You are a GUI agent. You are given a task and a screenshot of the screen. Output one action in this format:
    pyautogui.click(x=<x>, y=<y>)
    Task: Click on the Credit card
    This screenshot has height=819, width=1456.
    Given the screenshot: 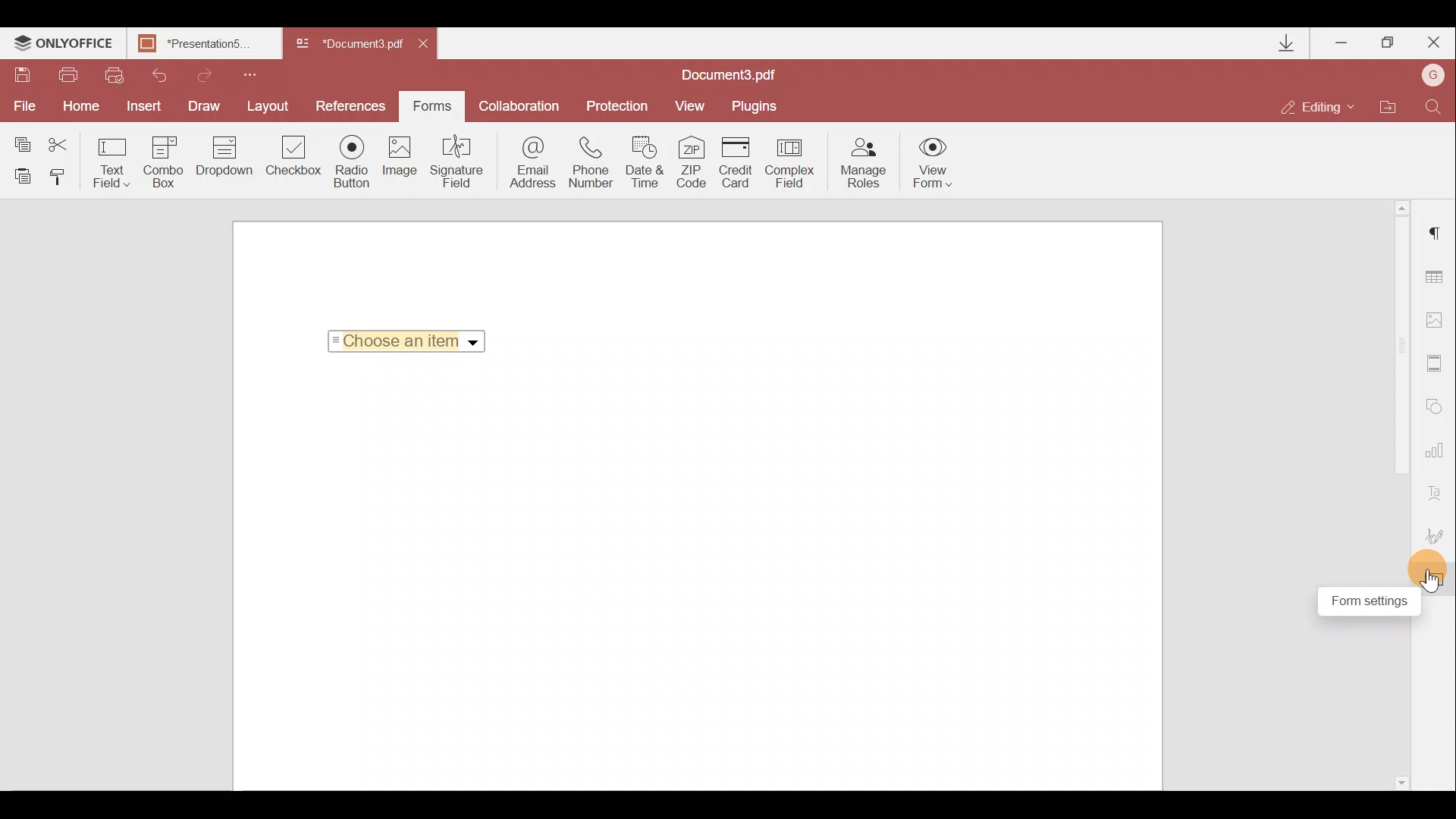 What is the action you would take?
    pyautogui.click(x=740, y=160)
    